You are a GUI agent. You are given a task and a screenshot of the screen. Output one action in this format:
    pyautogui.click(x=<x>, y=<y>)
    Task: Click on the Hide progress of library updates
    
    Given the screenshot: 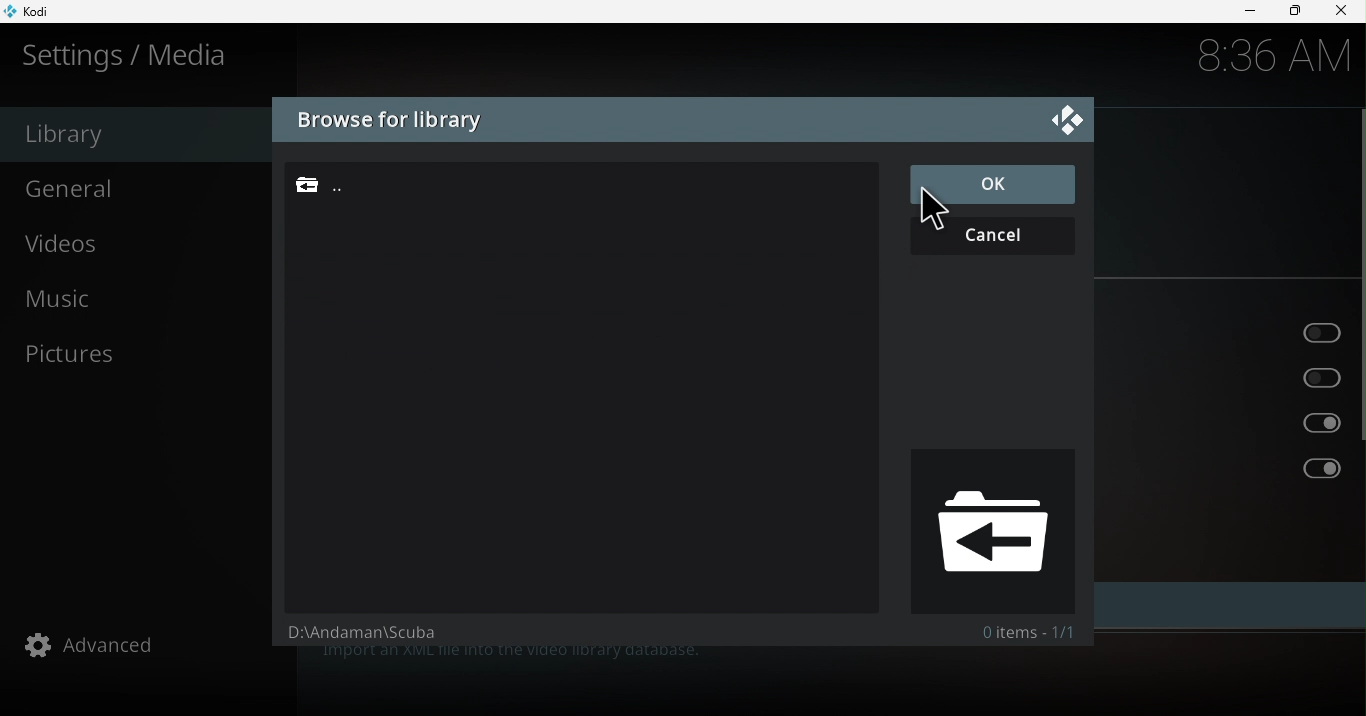 What is the action you would take?
    pyautogui.click(x=1233, y=376)
    